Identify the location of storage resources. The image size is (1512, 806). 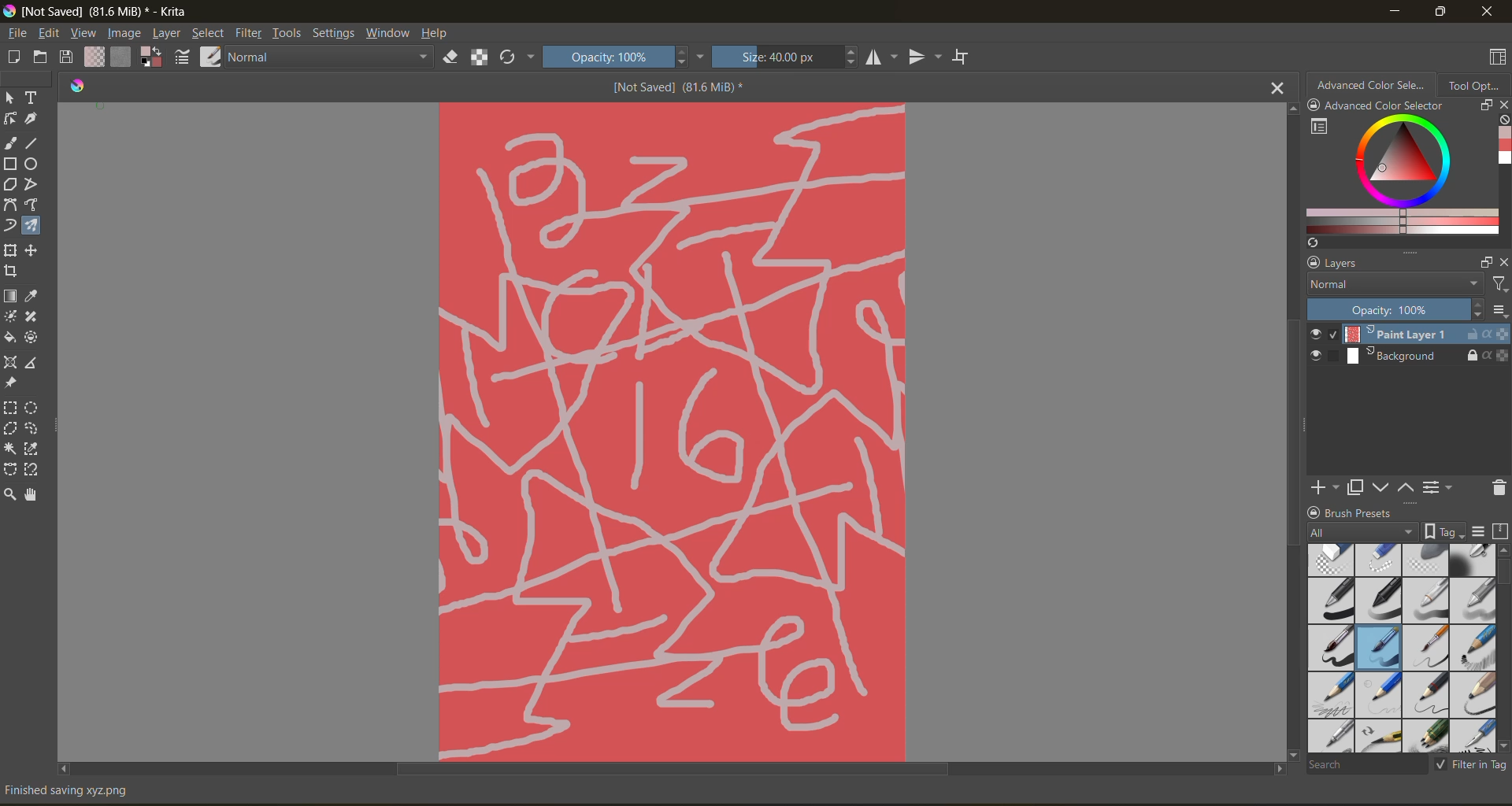
(1503, 532).